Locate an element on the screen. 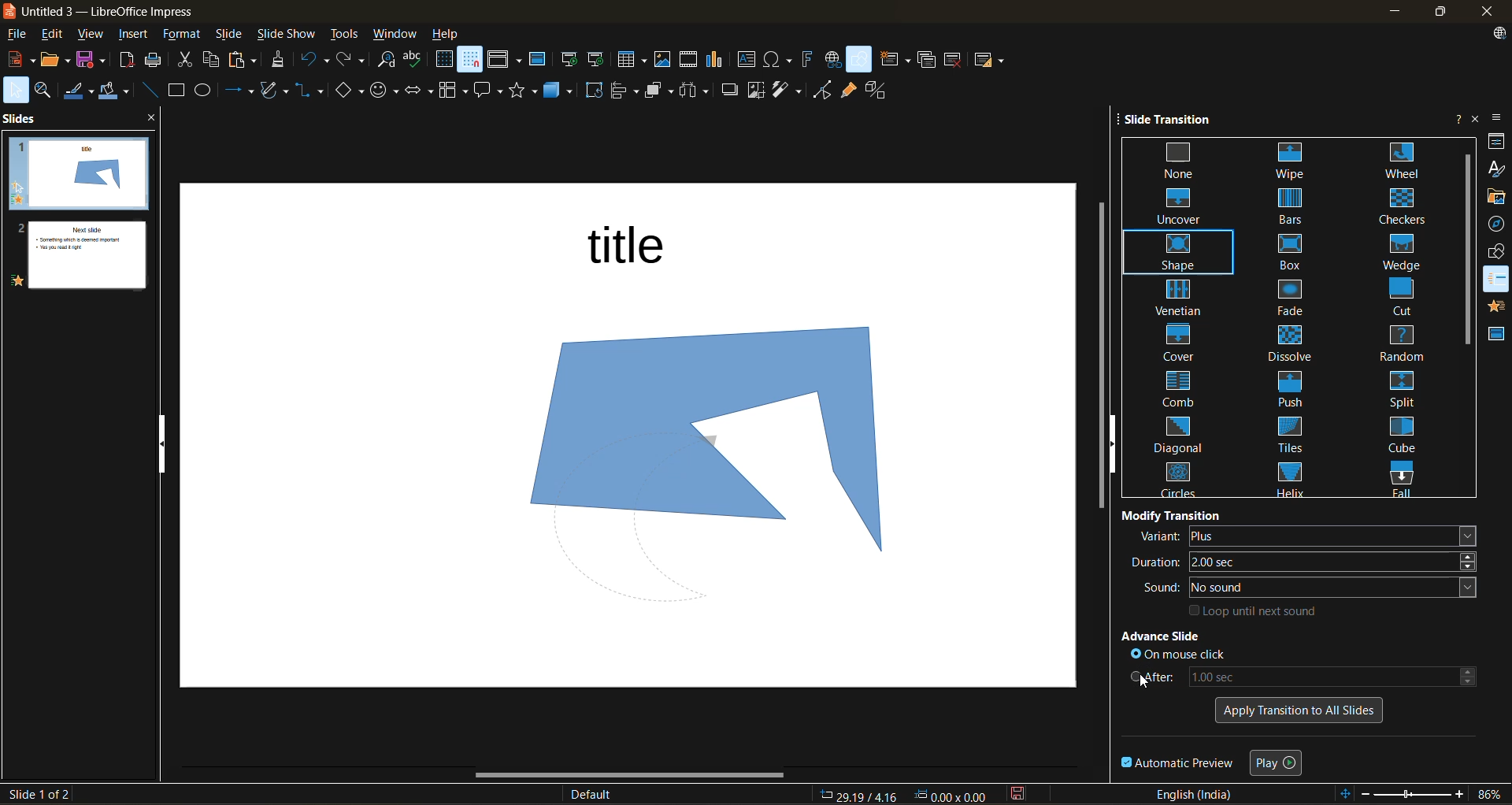 The image size is (1512, 805). update is located at coordinates (1501, 33).